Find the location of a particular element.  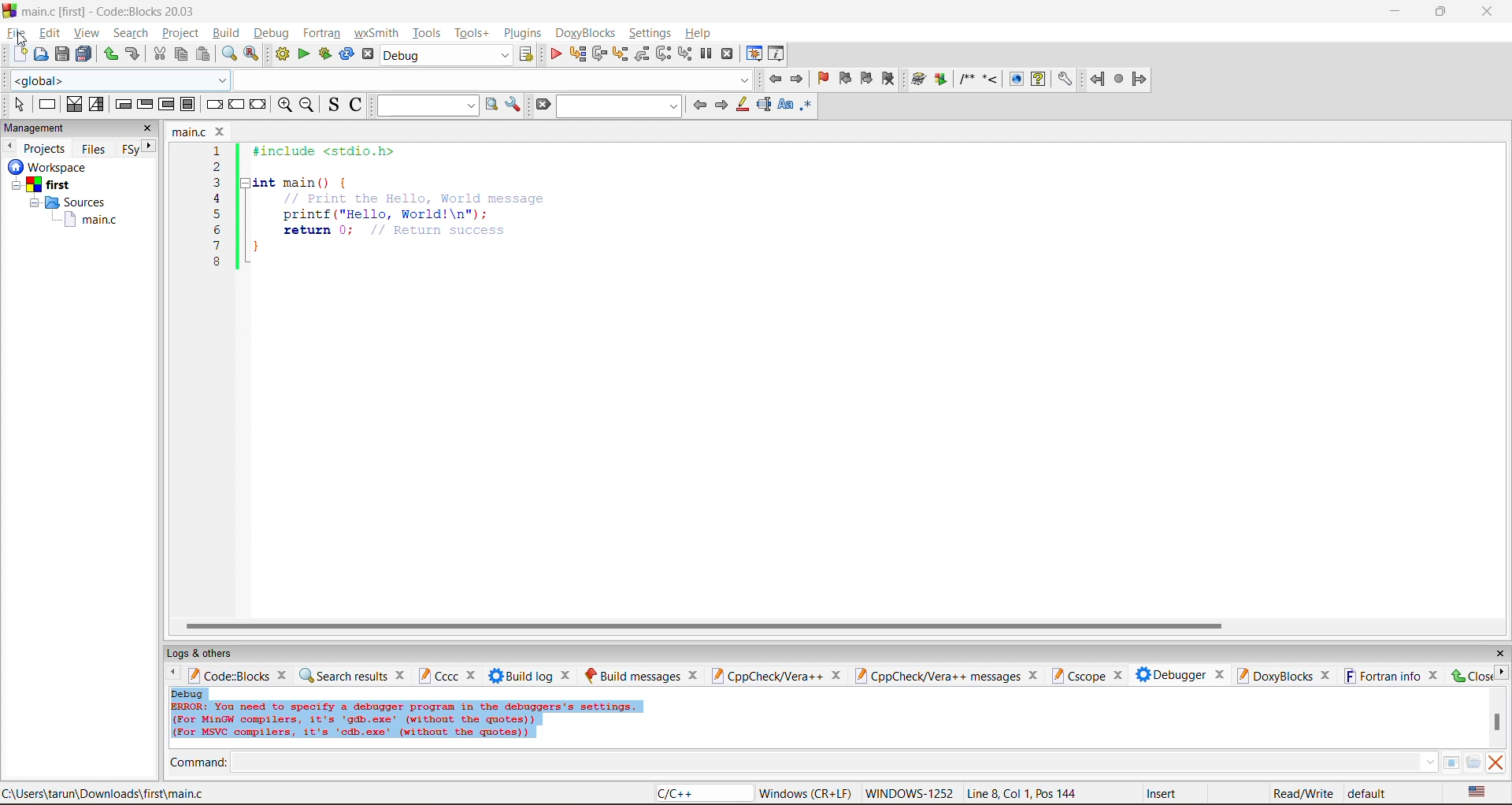

debugging windows is located at coordinates (754, 55).